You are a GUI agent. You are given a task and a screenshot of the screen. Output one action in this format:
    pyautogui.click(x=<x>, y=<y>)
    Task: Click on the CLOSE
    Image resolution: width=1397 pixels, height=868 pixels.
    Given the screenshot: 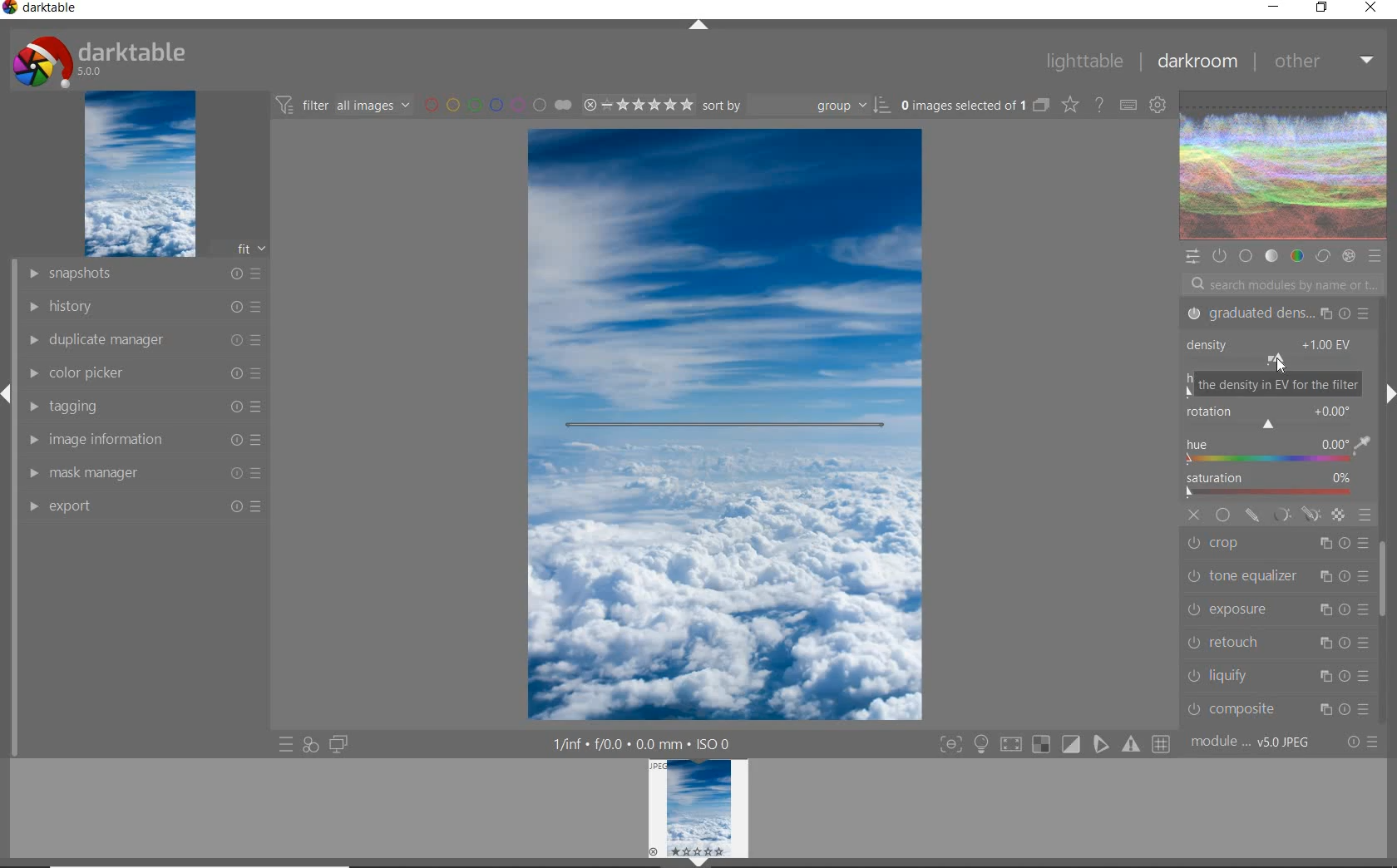 What is the action you would take?
    pyautogui.click(x=1371, y=8)
    